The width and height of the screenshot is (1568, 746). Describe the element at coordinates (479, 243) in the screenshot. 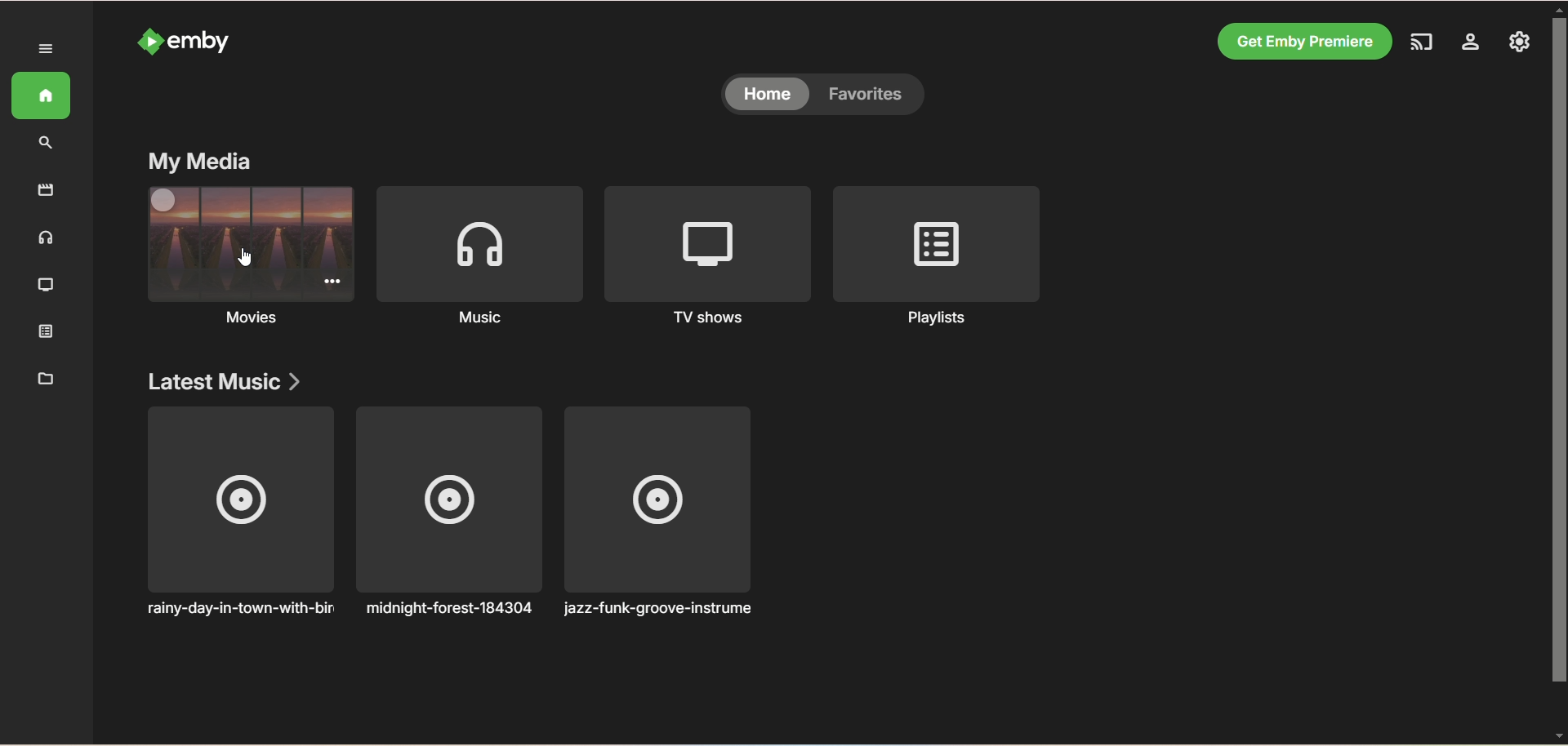

I see `music` at that location.